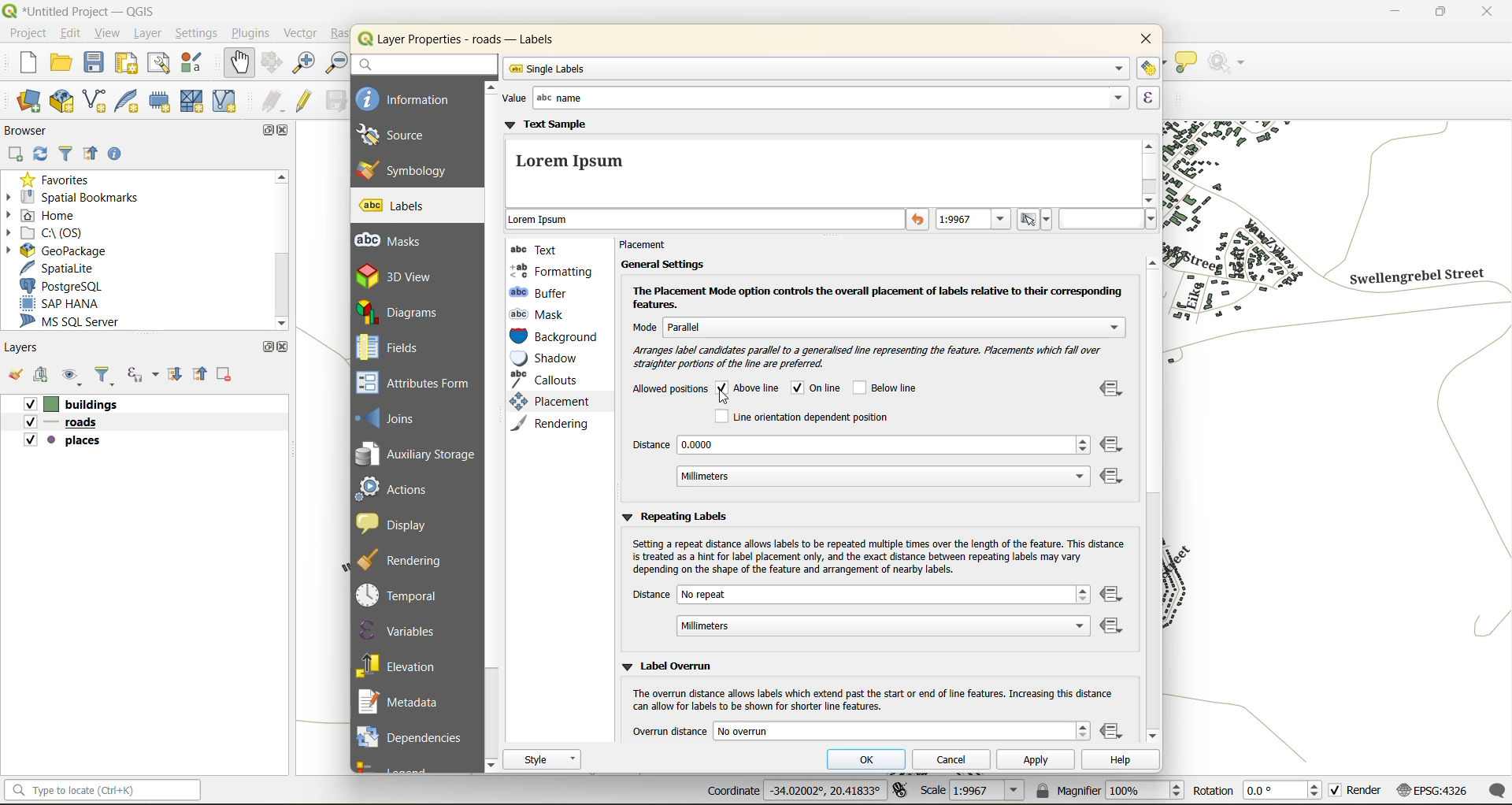 The height and width of the screenshot is (805, 1512). I want to click on edits, so click(274, 101).